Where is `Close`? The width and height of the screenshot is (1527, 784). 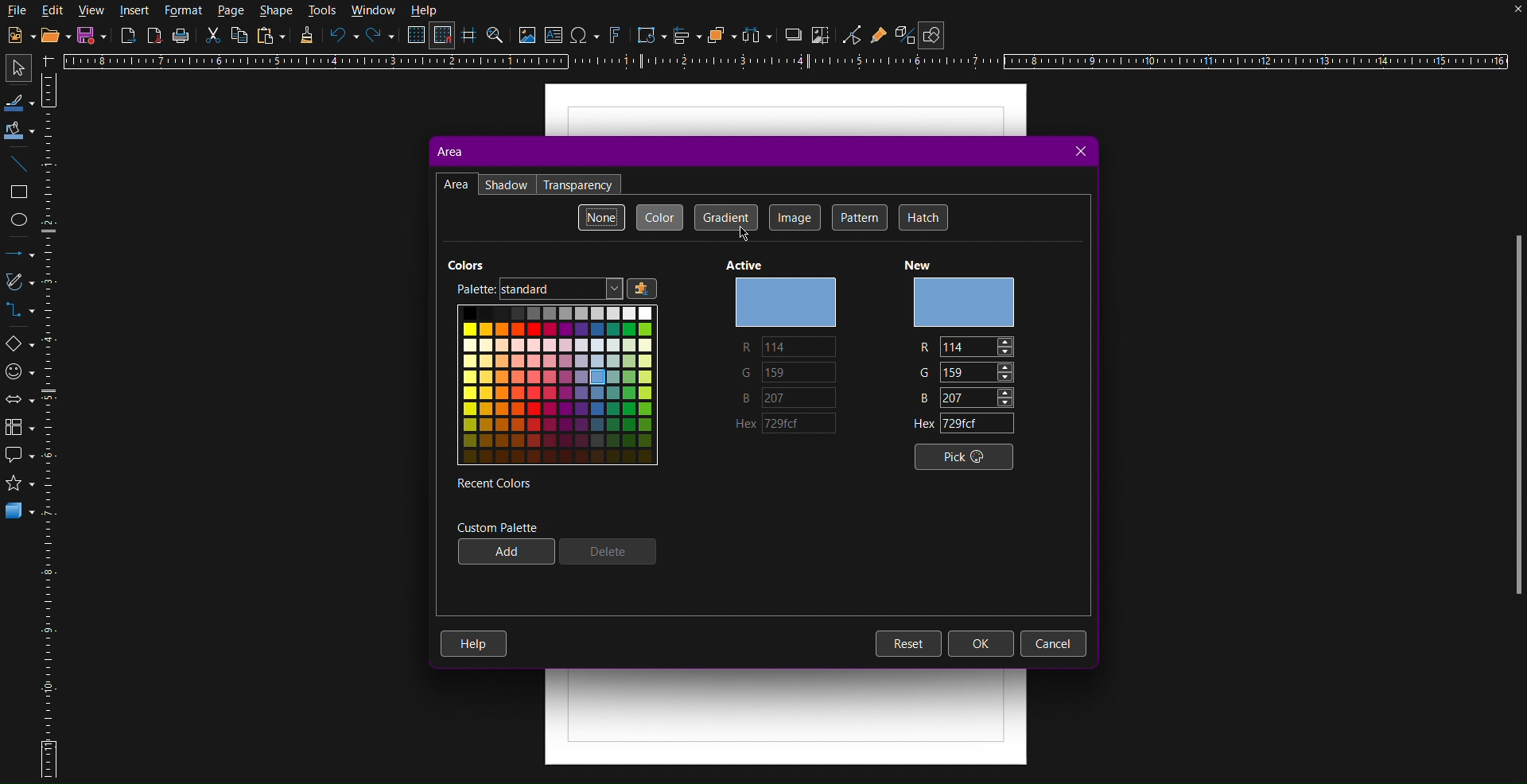 Close is located at coordinates (1078, 153).